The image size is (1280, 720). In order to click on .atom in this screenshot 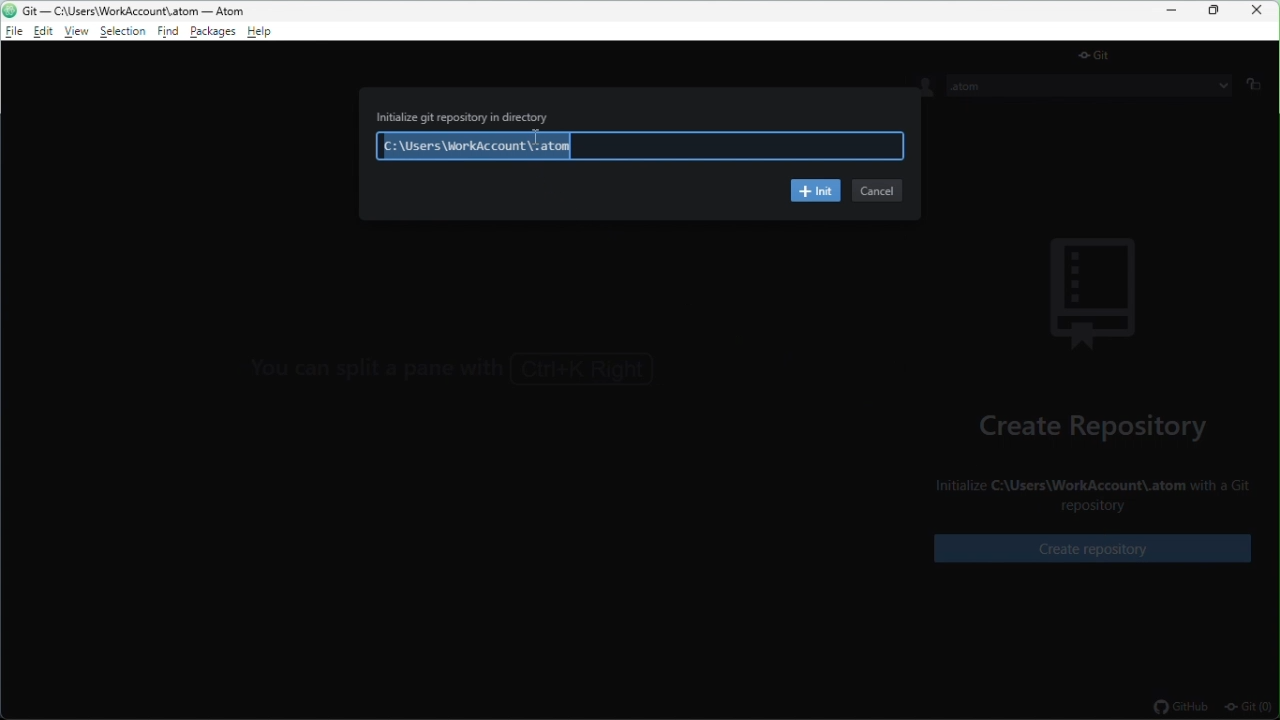, I will do `click(1091, 88)`.